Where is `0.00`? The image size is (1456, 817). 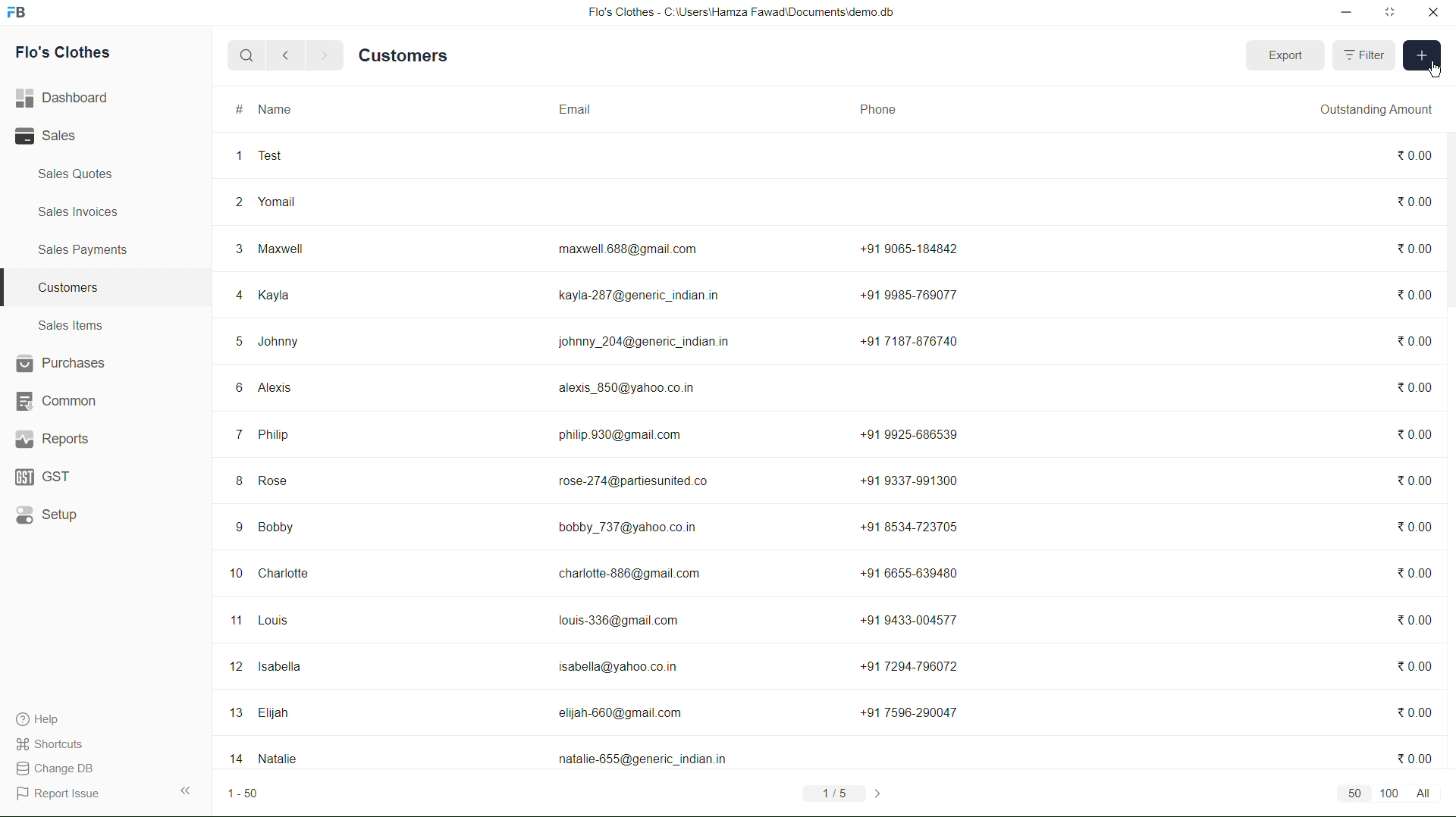 0.00 is located at coordinates (1414, 293).